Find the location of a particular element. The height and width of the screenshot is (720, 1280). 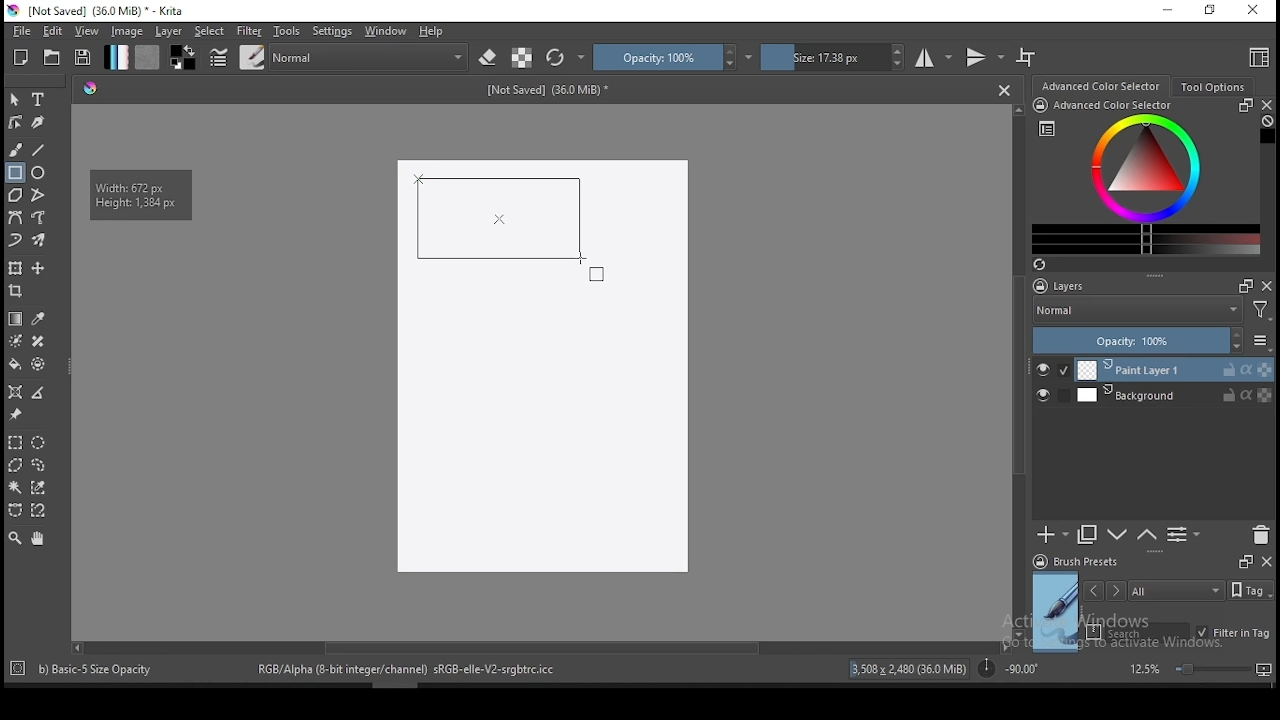

file is located at coordinates (21, 31).